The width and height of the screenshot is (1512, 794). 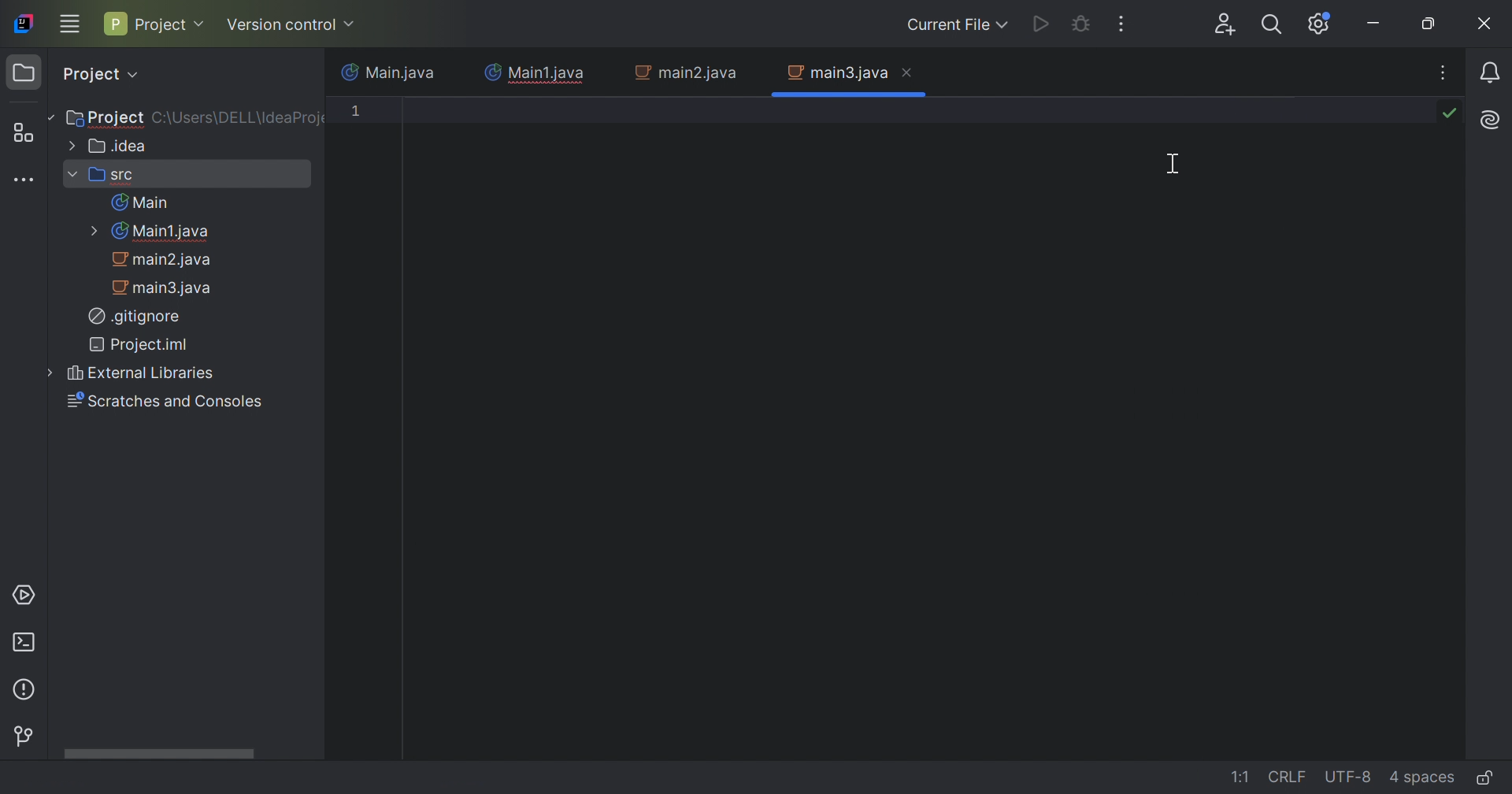 I want to click on External Libraries, so click(x=127, y=373).